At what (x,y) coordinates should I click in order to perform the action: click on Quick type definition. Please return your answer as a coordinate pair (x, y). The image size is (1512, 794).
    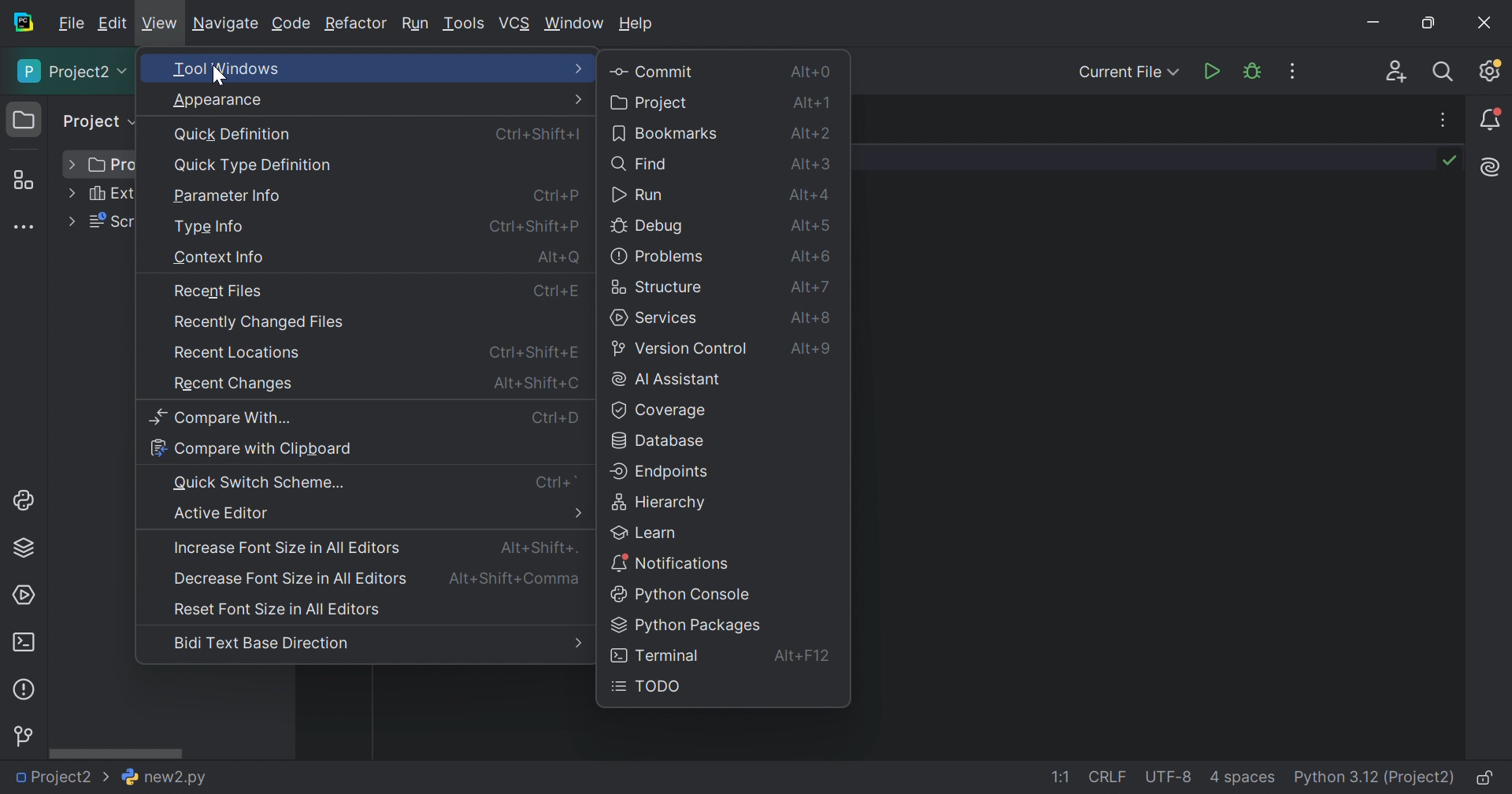
    Looking at the image, I should click on (251, 165).